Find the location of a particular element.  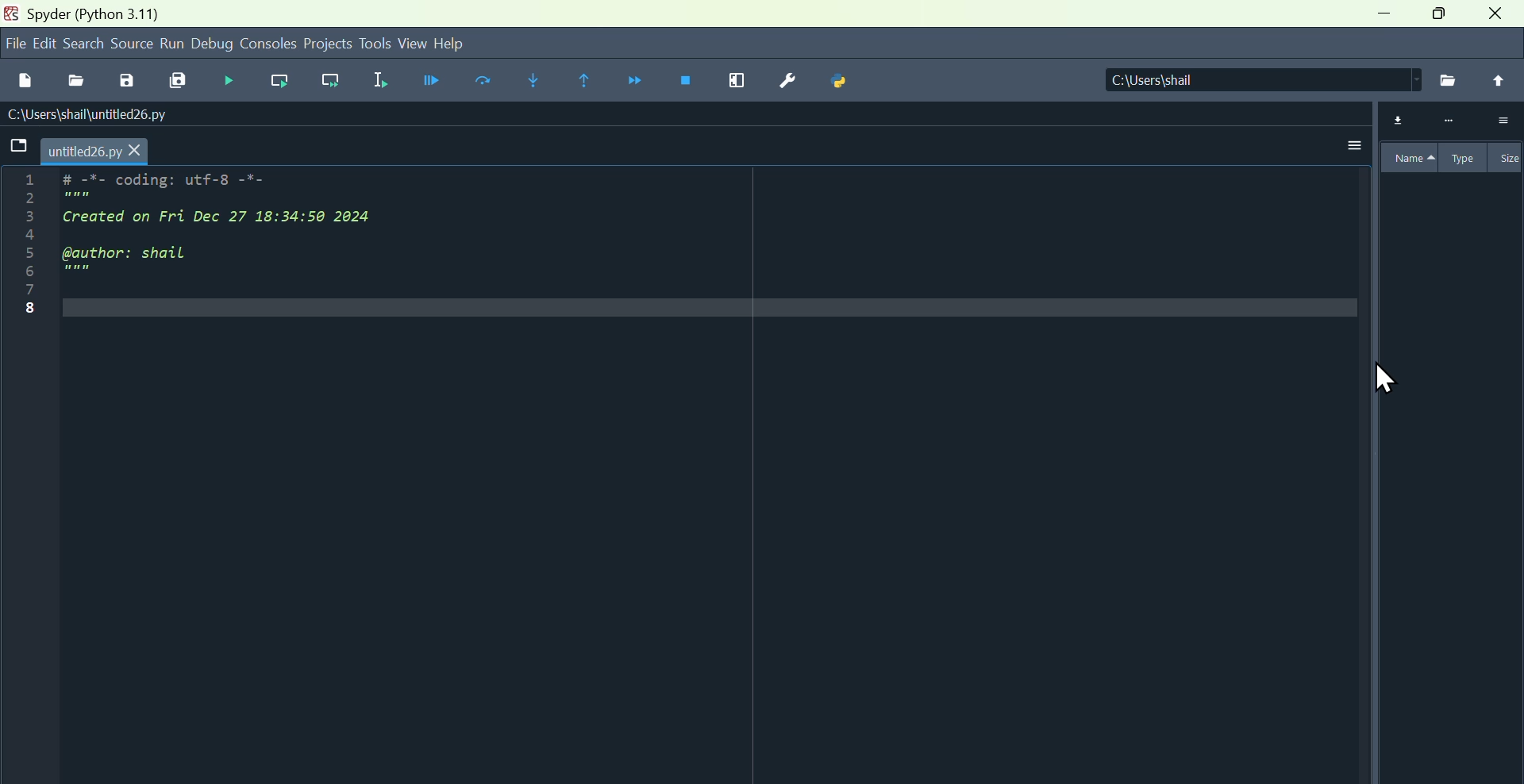

Run current line and go to the next one is located at coordinates (333, 82).